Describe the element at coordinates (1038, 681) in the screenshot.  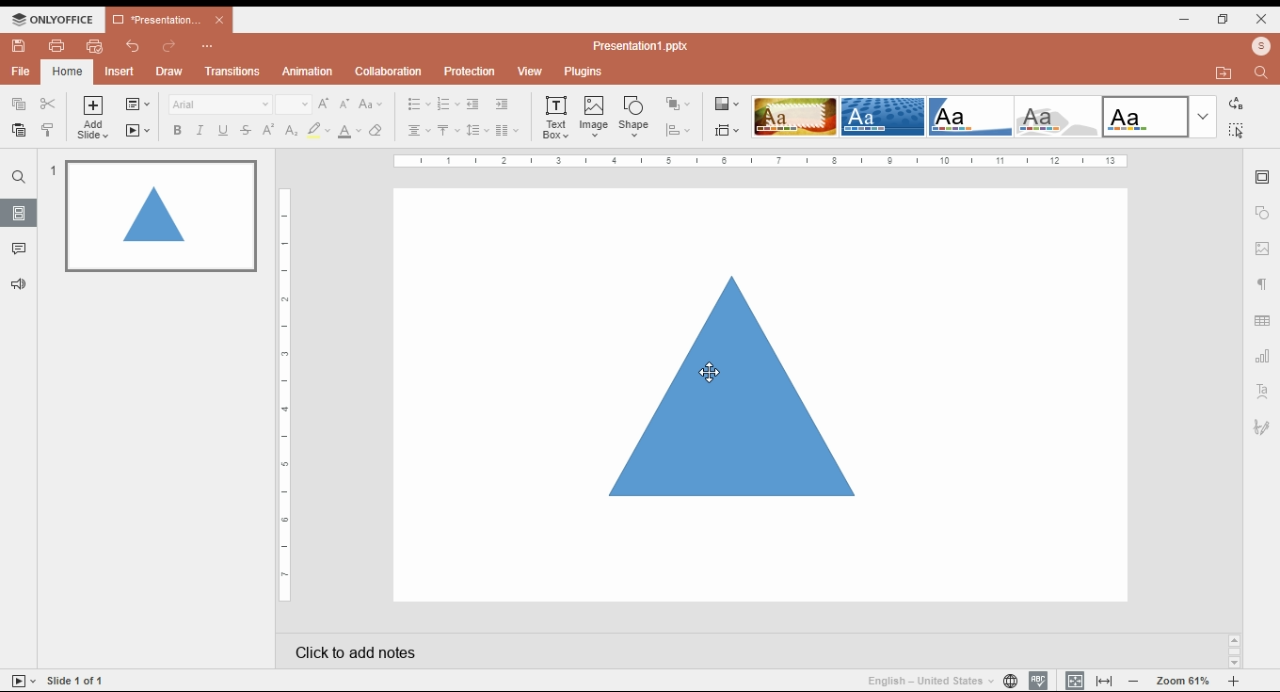
I see `spell check` at that location.